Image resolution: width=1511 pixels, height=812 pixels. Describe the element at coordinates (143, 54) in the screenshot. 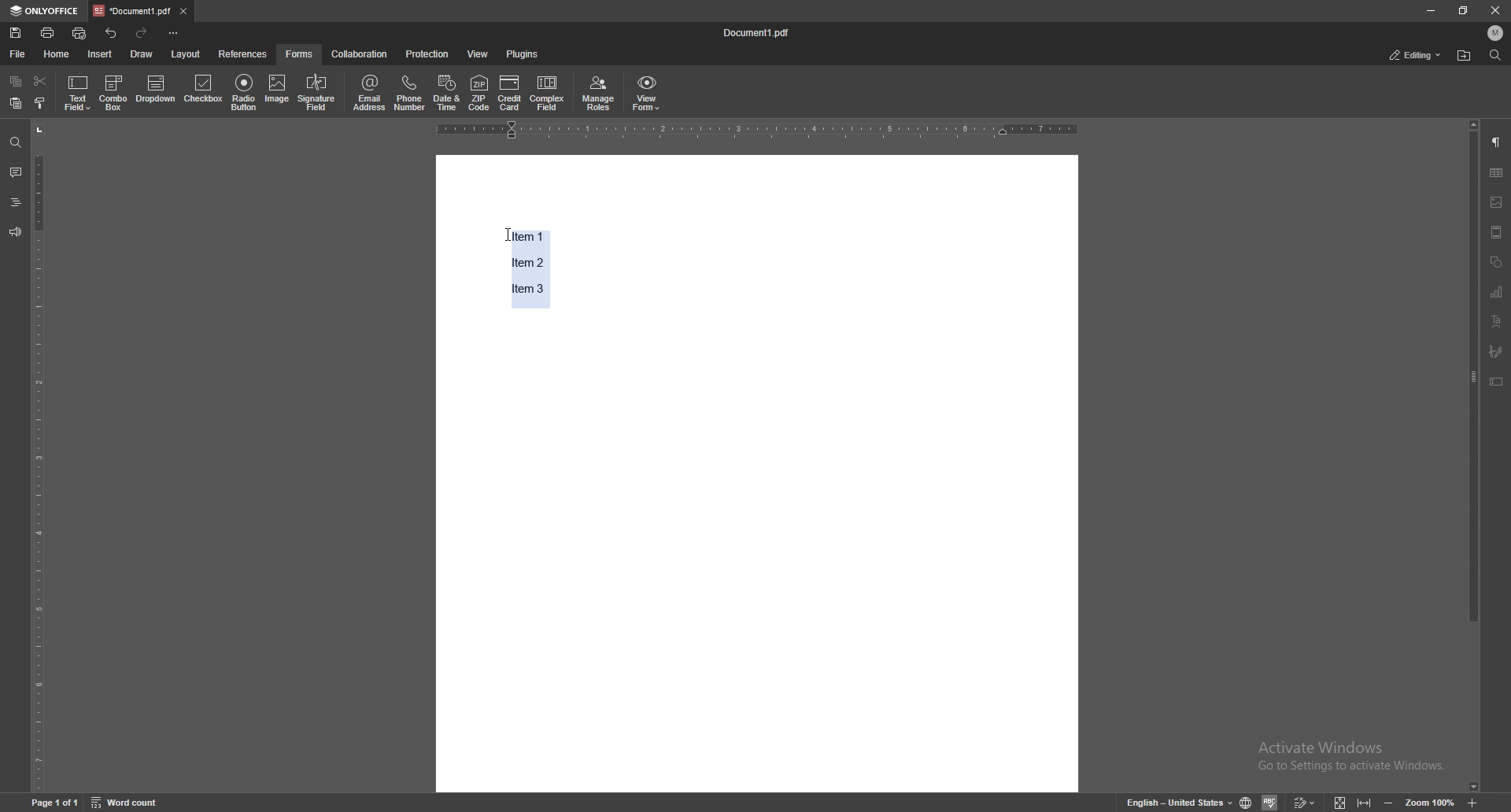

I see `draw` at that location.